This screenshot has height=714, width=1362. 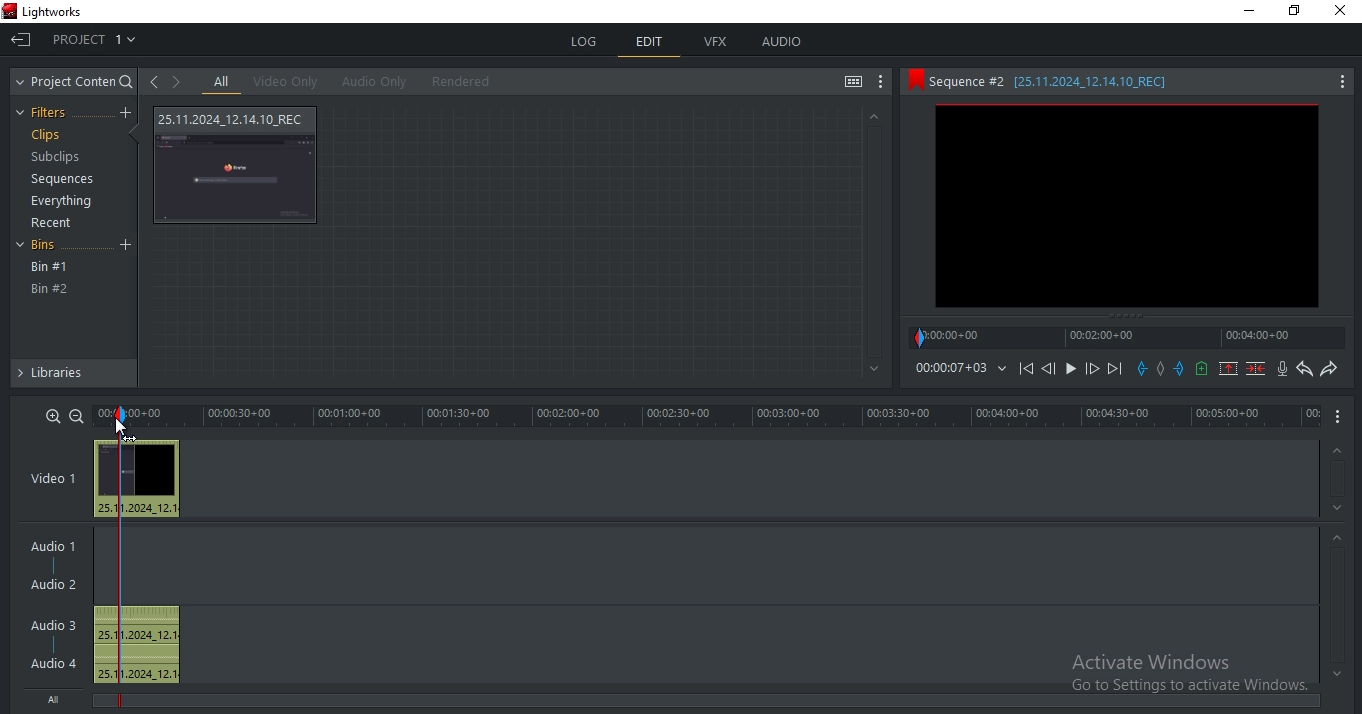 I want to click on playback icons, so click(x=1025, y=367).